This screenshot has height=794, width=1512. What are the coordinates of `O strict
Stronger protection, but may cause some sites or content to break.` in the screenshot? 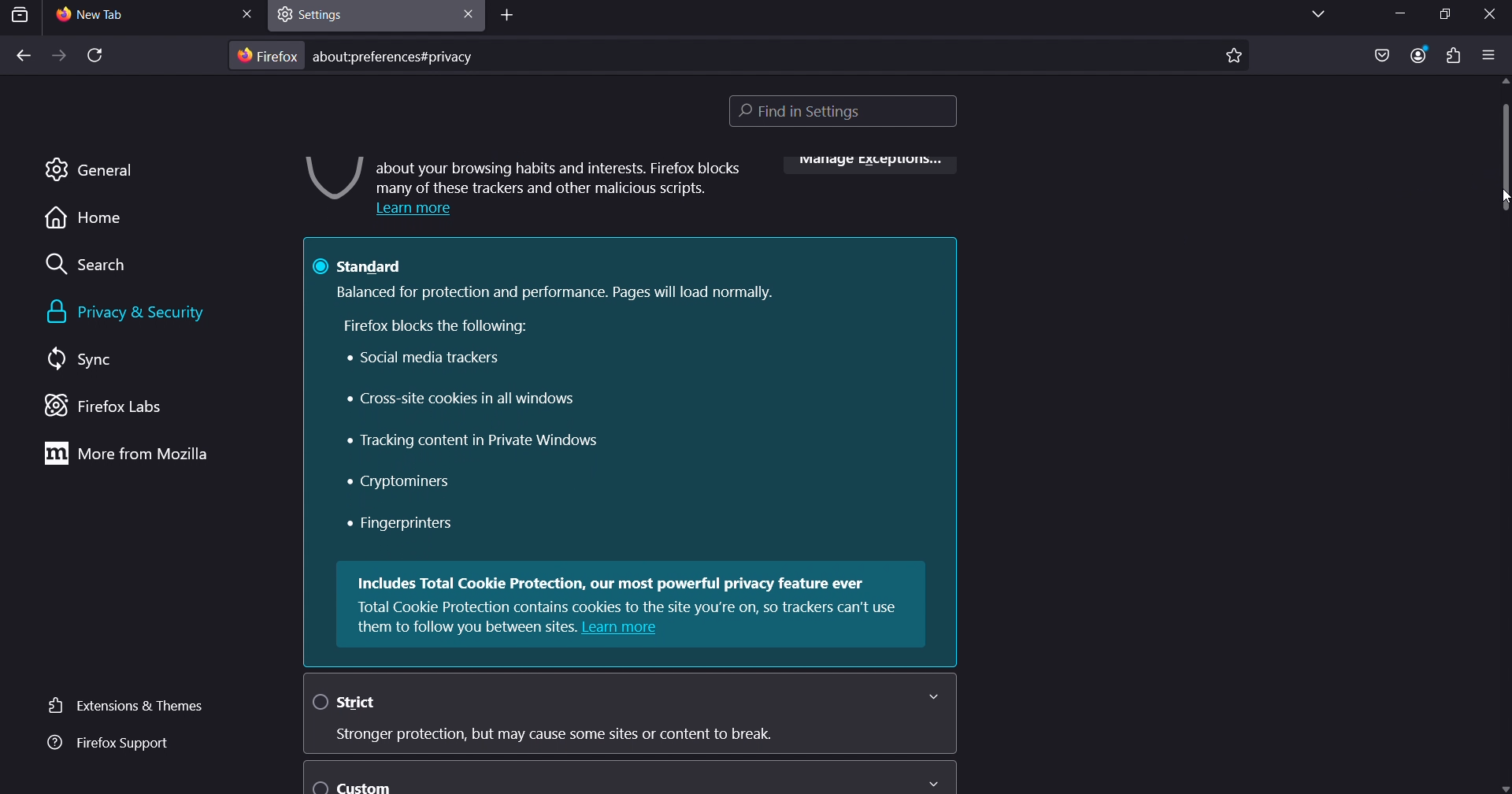 It's located at (629, 718).